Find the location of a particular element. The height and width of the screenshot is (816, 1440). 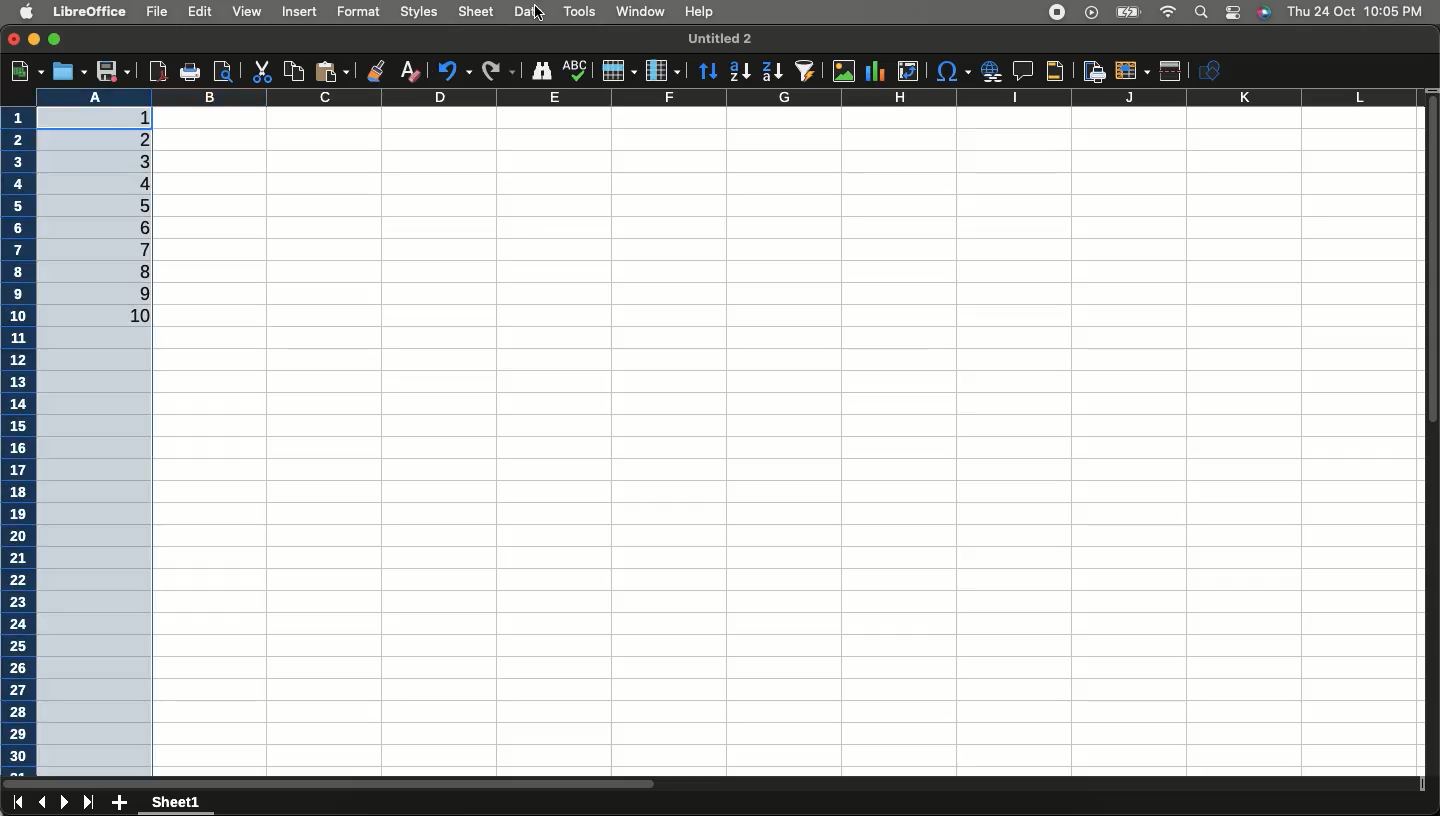

Maximize is located at coordinates (55, 37).